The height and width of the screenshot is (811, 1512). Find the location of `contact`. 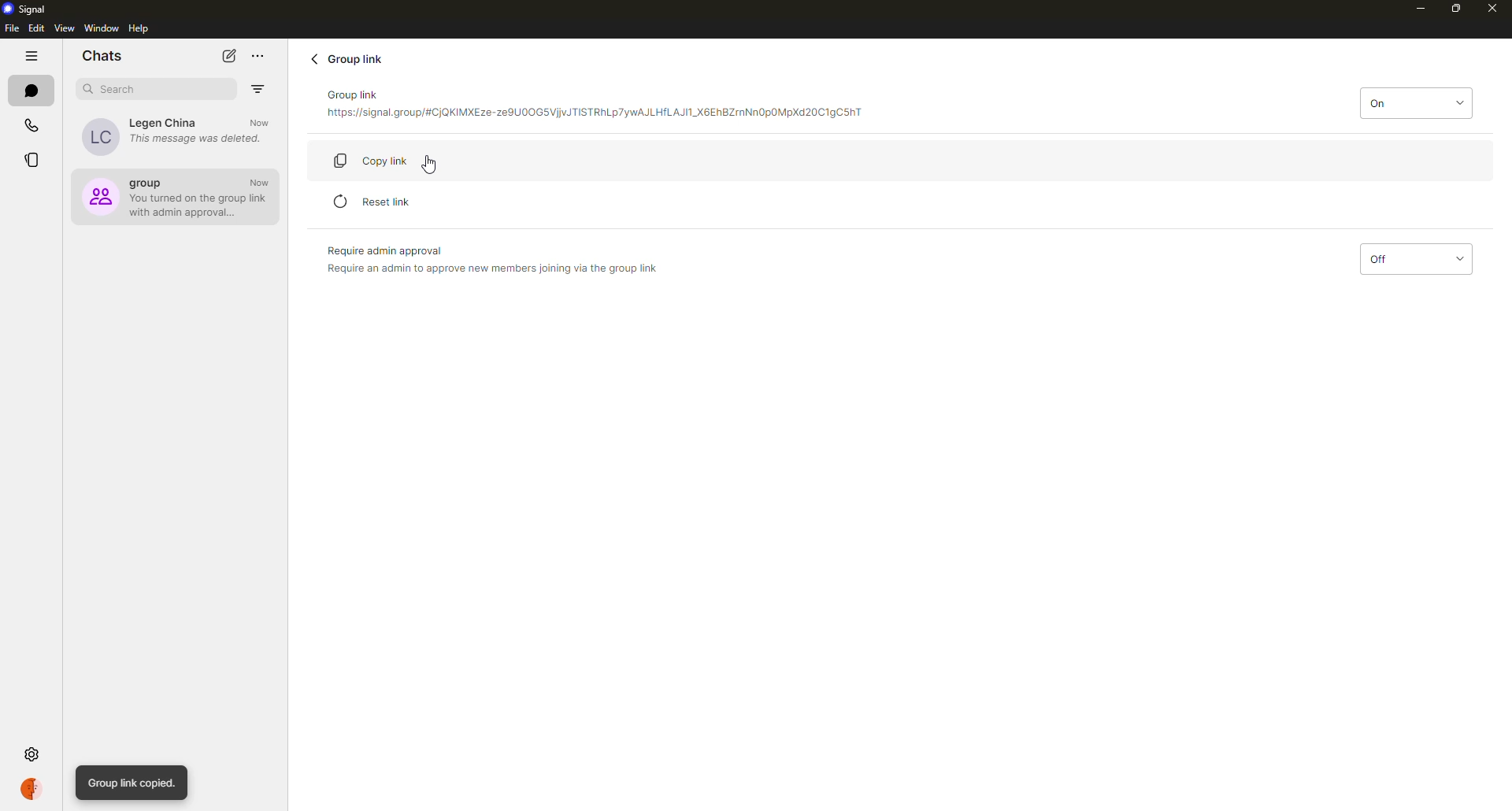

contact is located at coordinates (176, 135).